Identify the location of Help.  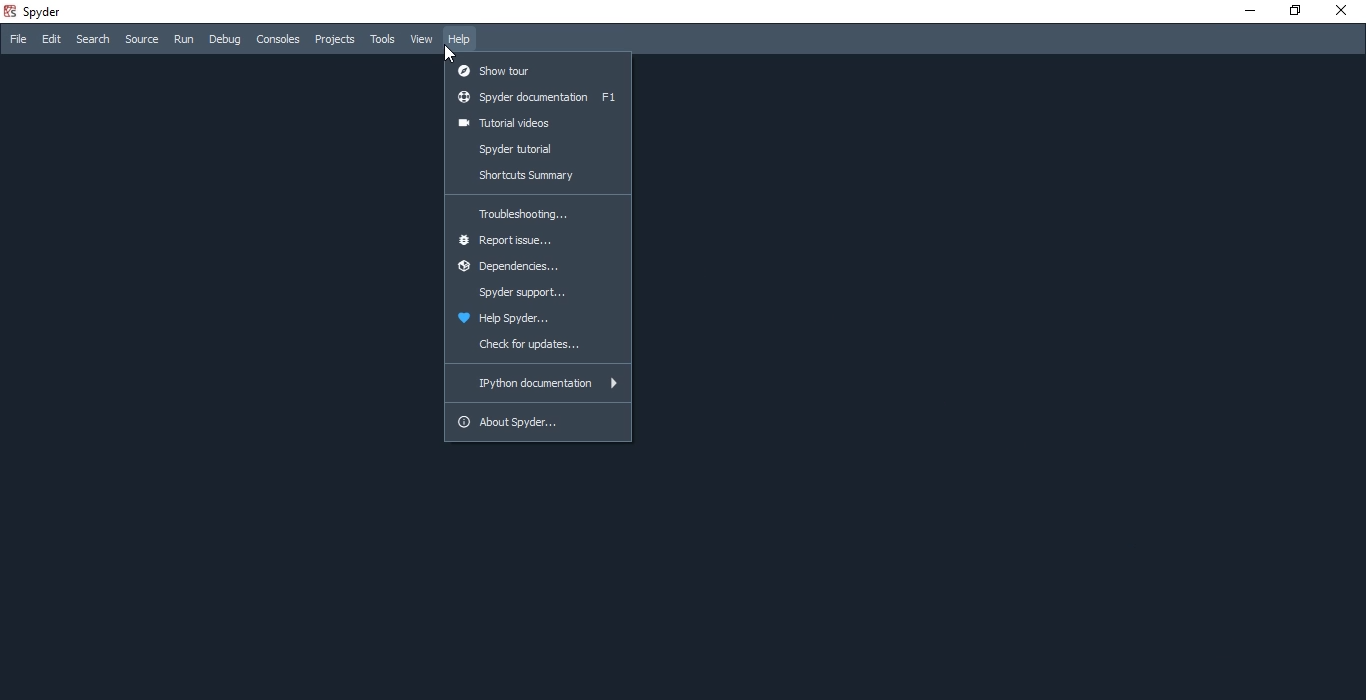
(460, 39).